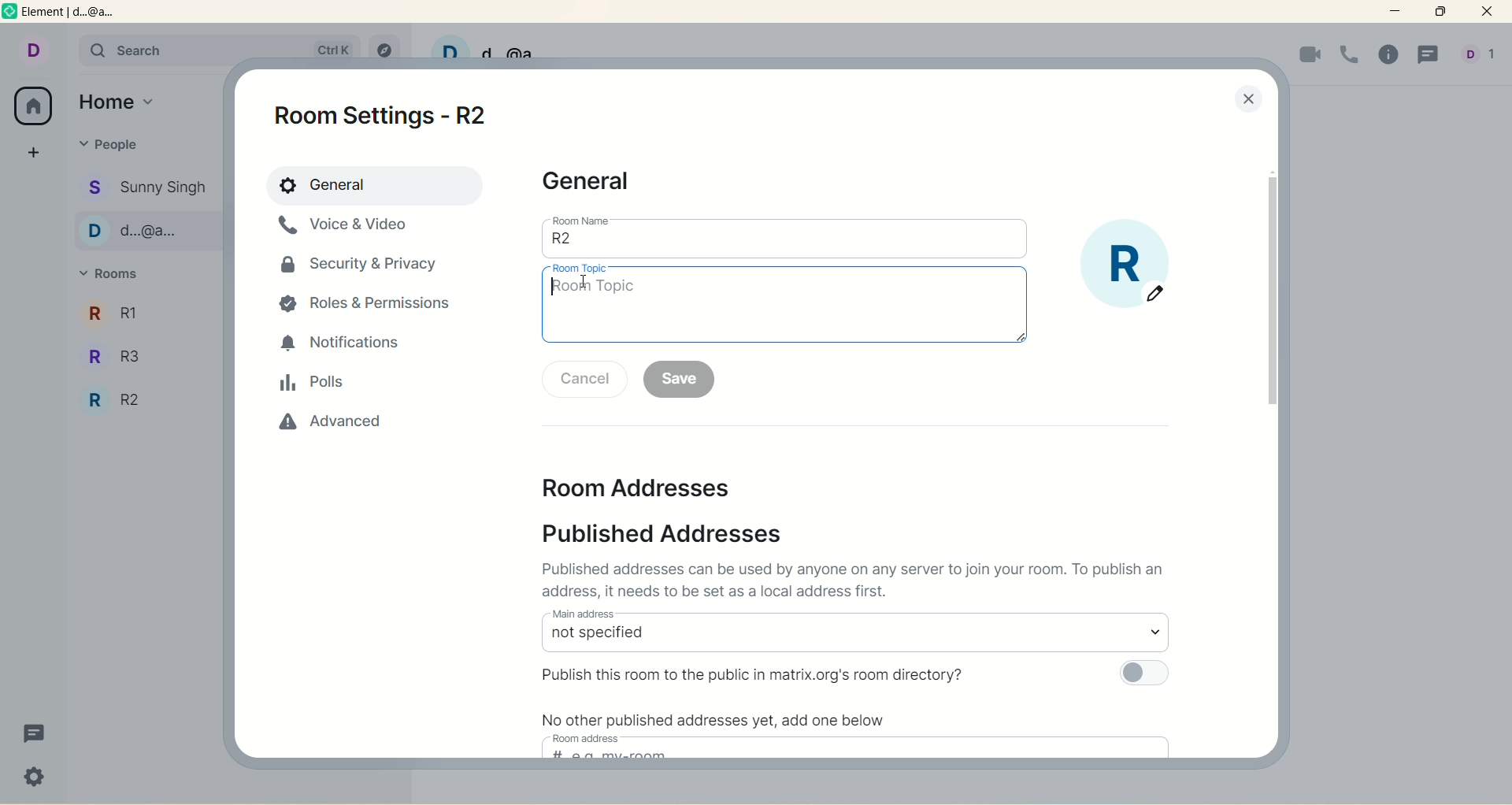 Image resolution: width=1512 pixels, height=805 pixels. Describe the element at coordinates (115, 275) in the screenshot. I see `rooms` at that location.